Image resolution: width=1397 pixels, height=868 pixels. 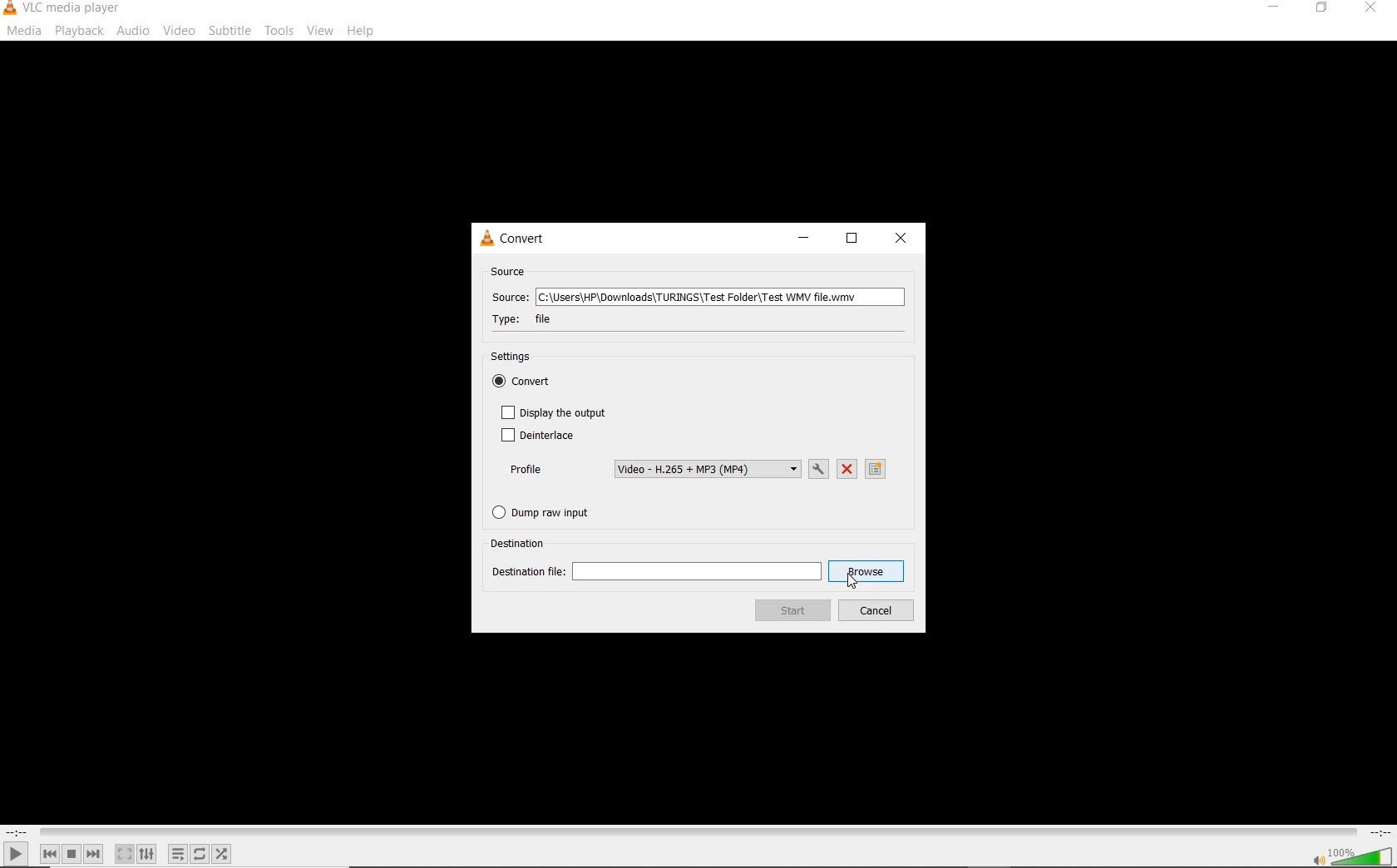 I want to click on display the output, so click(x=554, y=412).